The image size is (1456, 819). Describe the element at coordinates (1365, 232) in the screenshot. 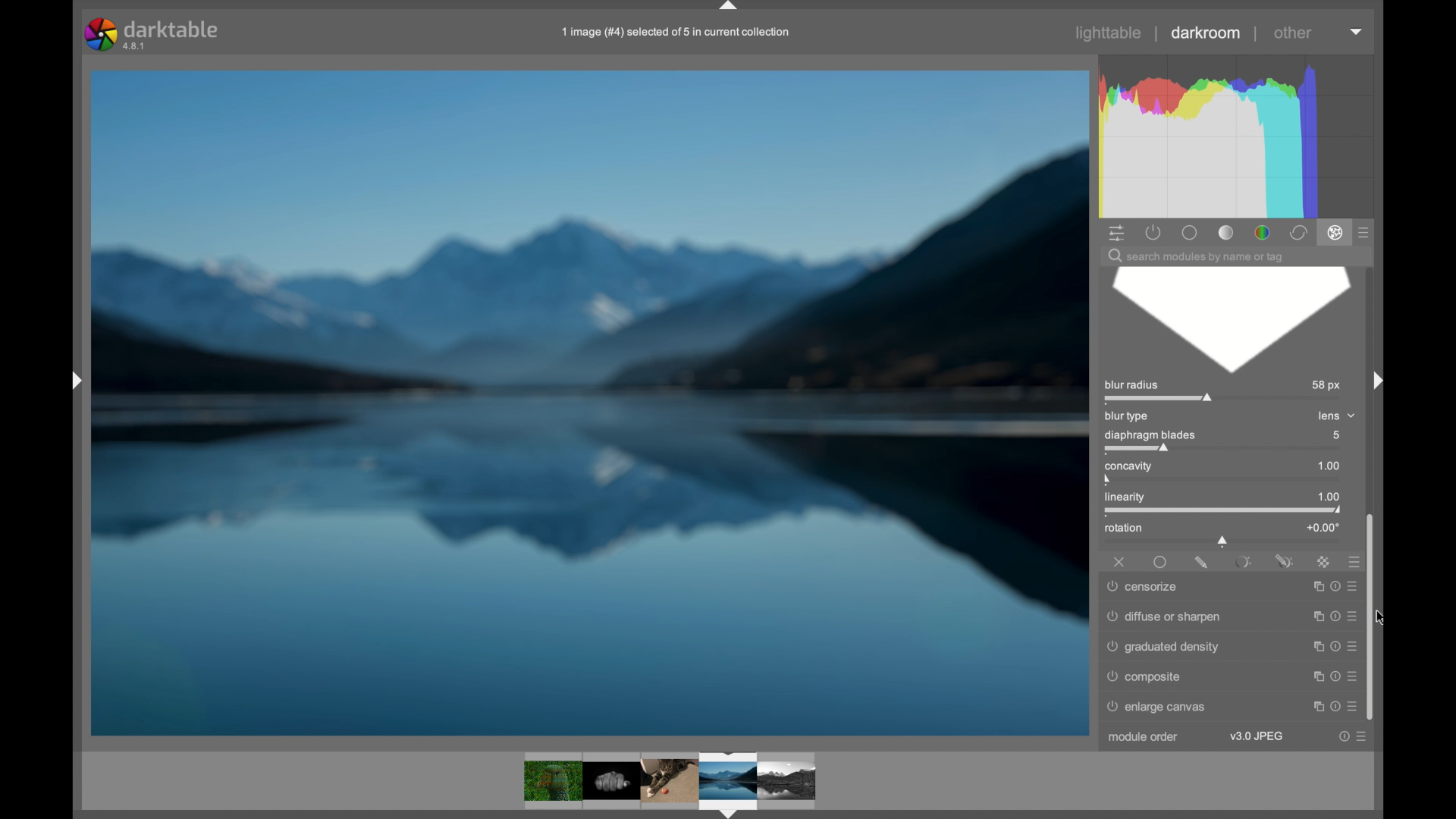

I see `presets` at that location.